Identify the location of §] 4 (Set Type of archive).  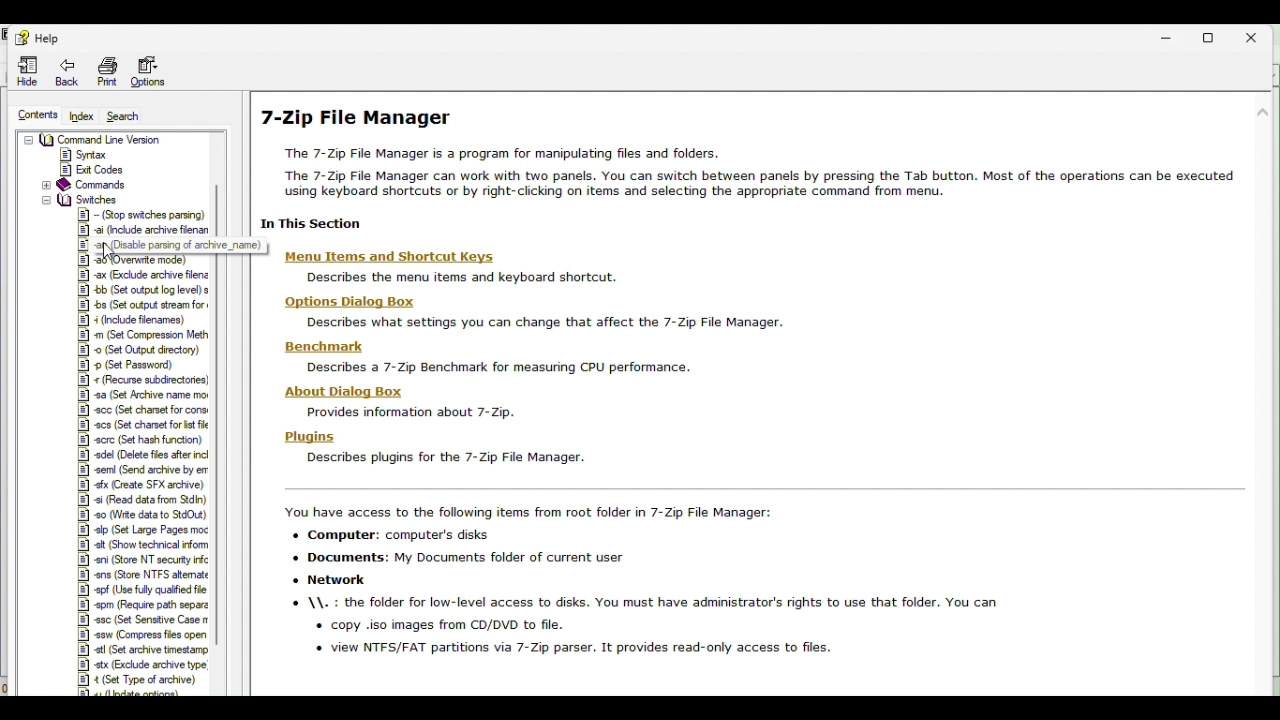
(136, 680).